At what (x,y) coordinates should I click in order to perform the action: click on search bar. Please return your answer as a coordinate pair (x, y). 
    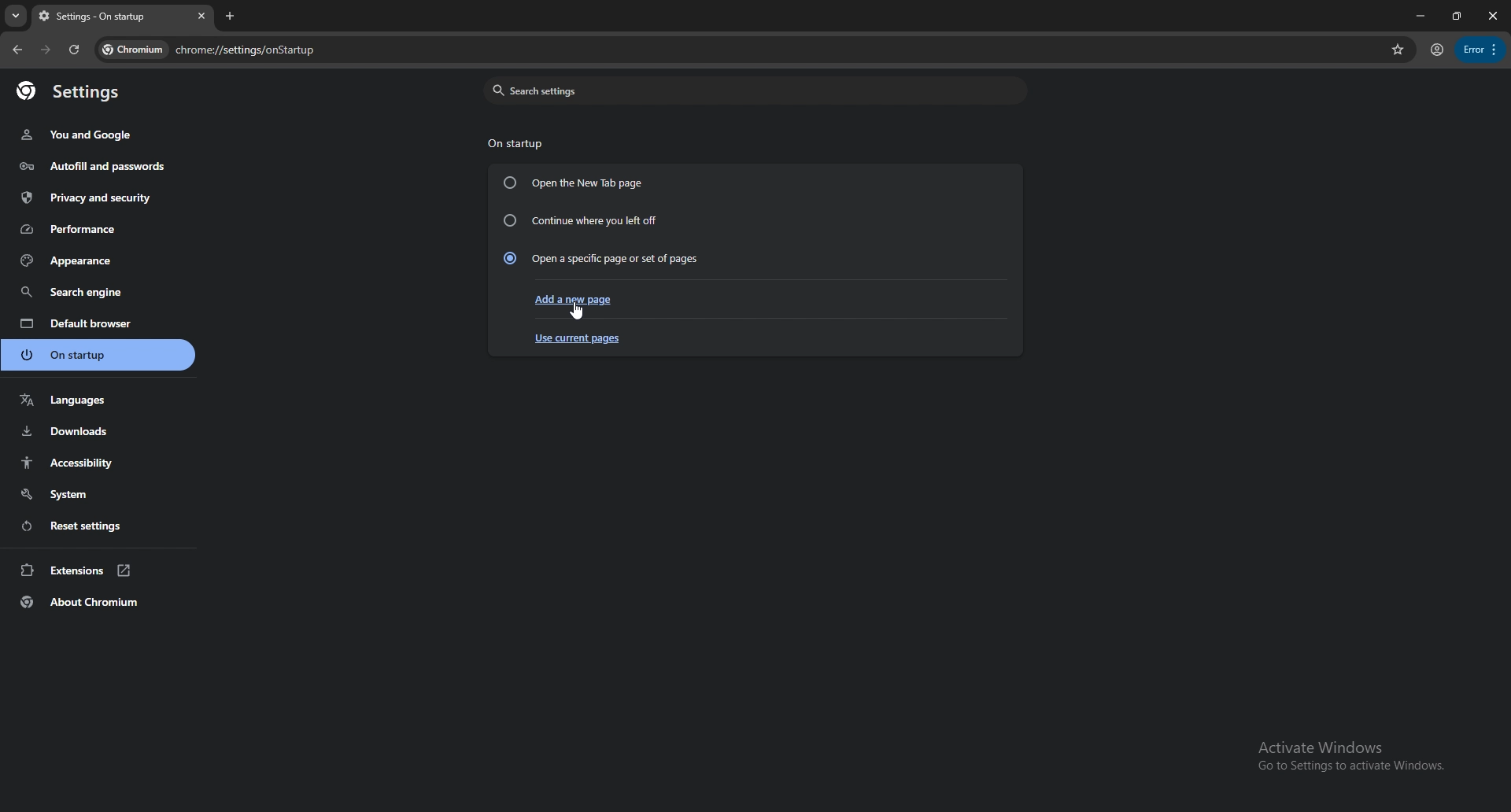
    Looking at the image, I should click on (773, 51).